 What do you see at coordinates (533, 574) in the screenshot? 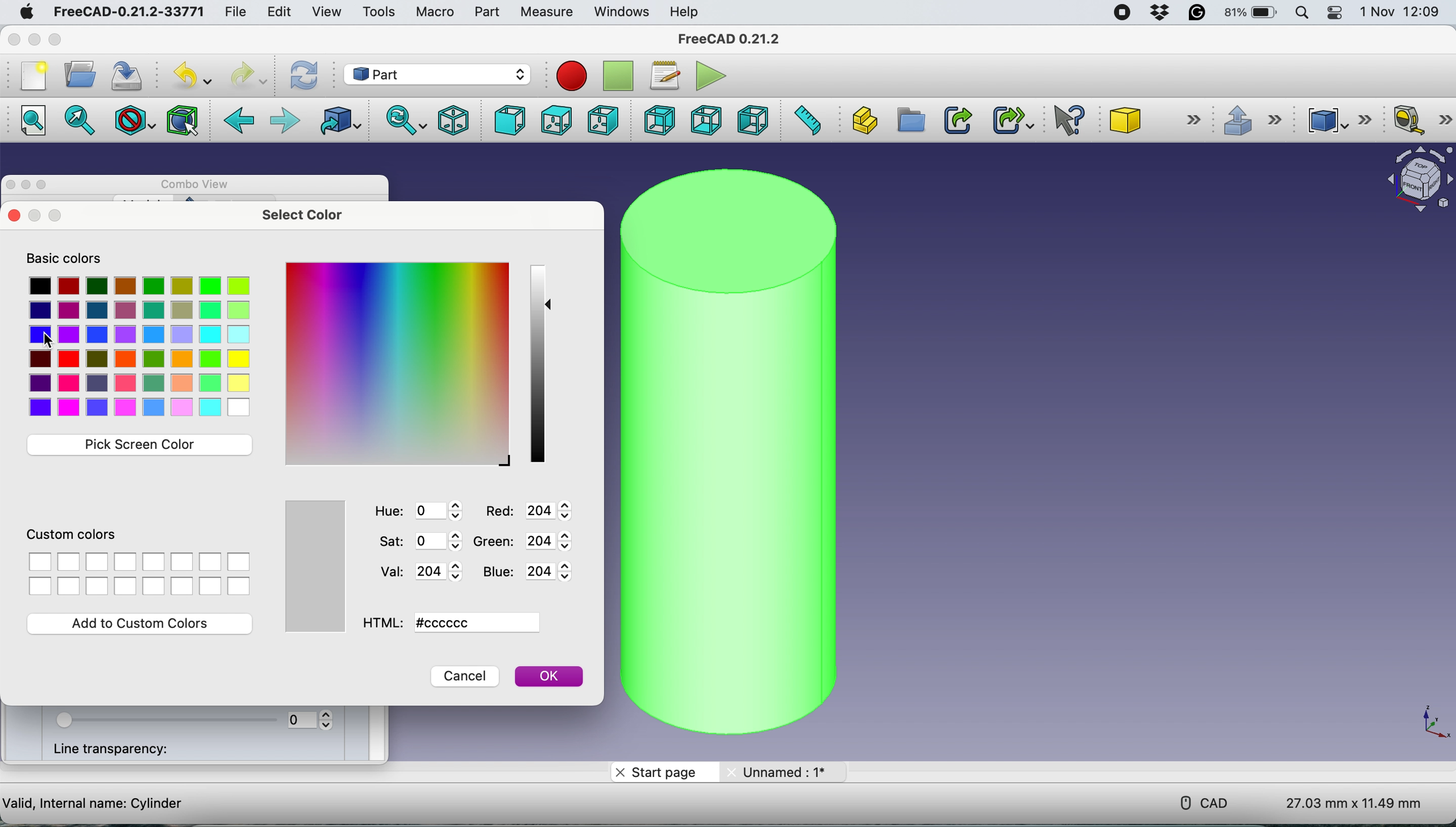
I see `blue` at bounding box center [533, 574].